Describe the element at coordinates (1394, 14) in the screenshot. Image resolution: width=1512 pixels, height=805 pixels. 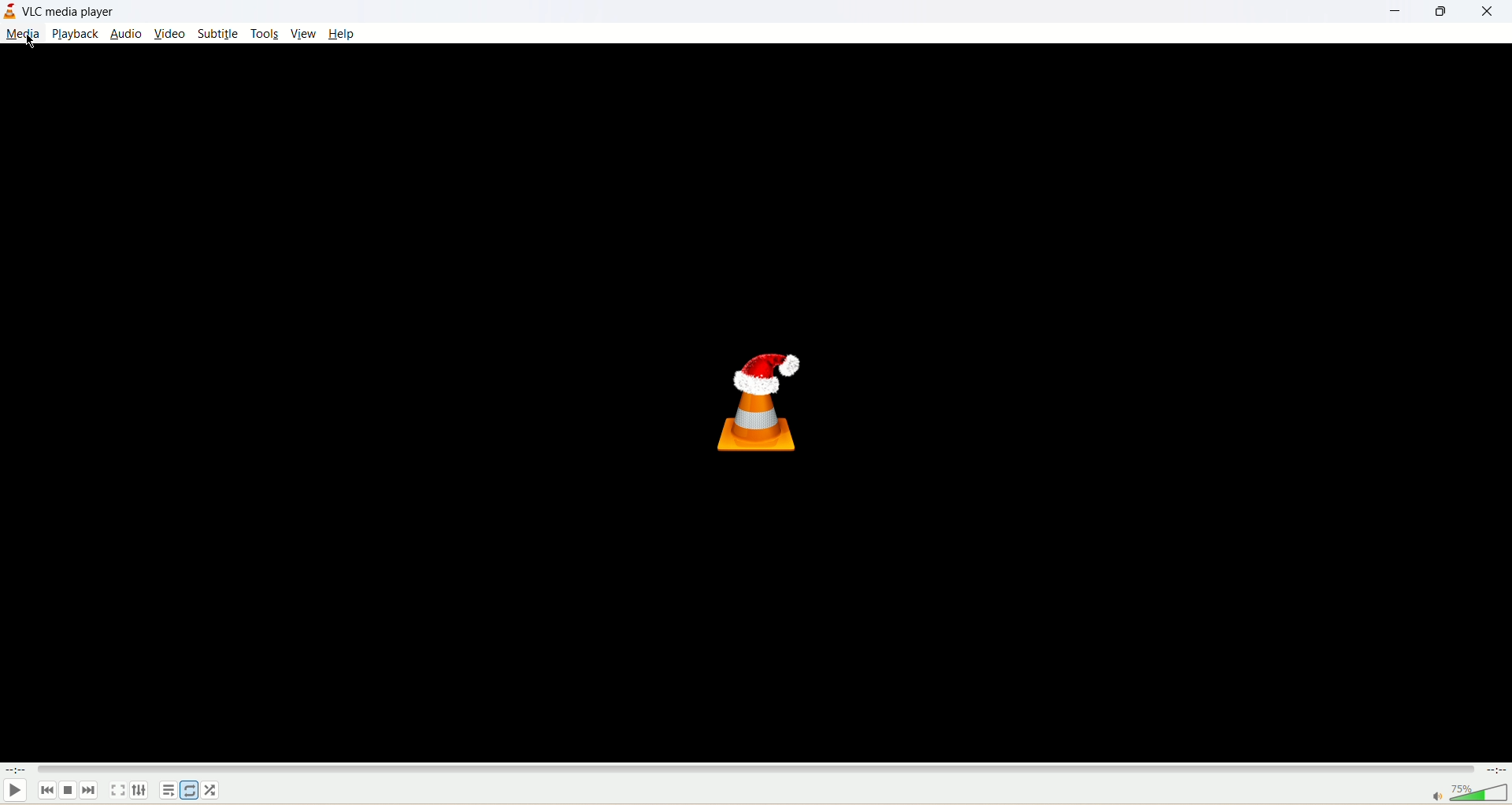
I see `minimize` at that location.